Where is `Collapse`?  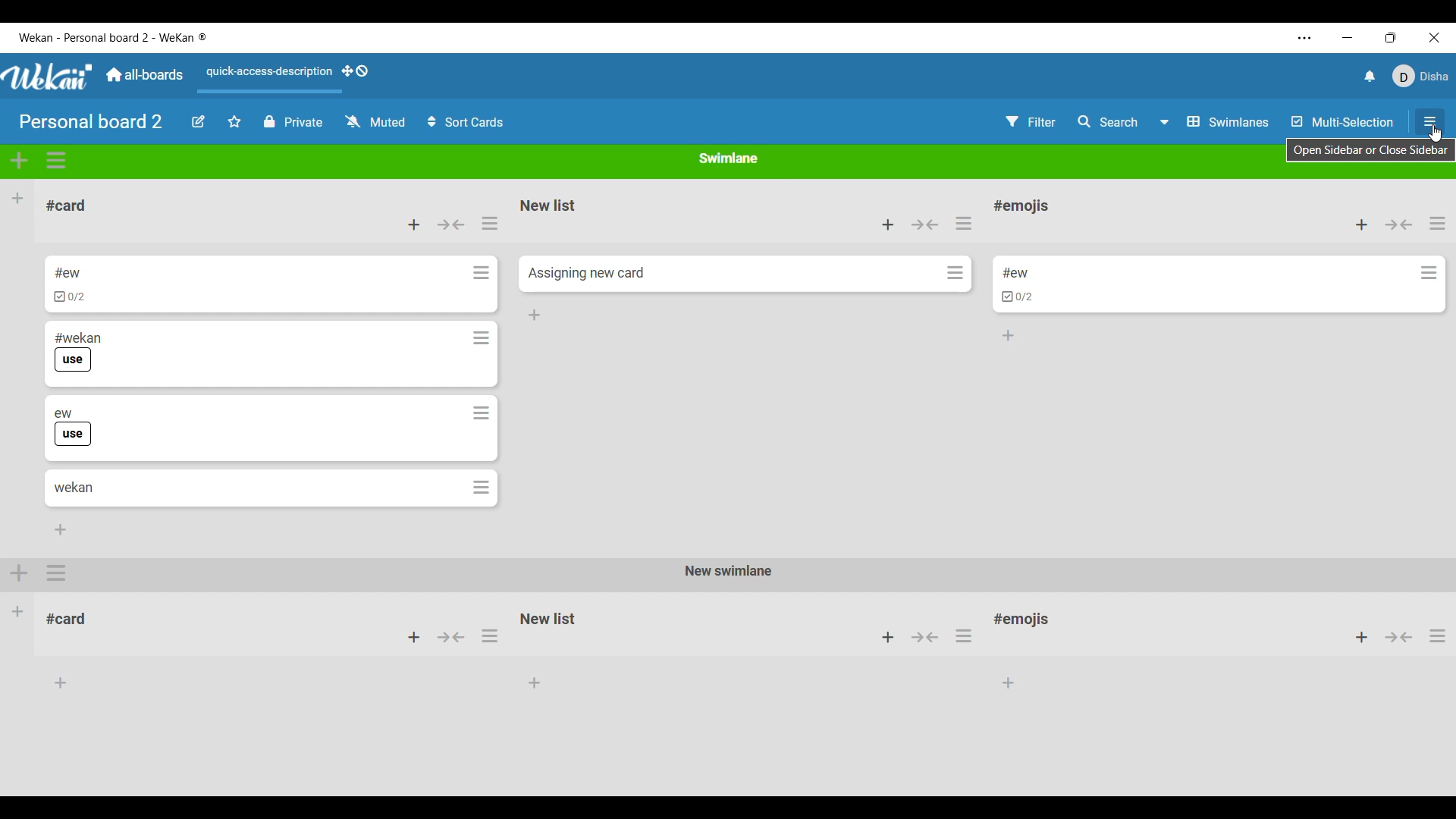
Collapse is located at coordinates (450, 224).